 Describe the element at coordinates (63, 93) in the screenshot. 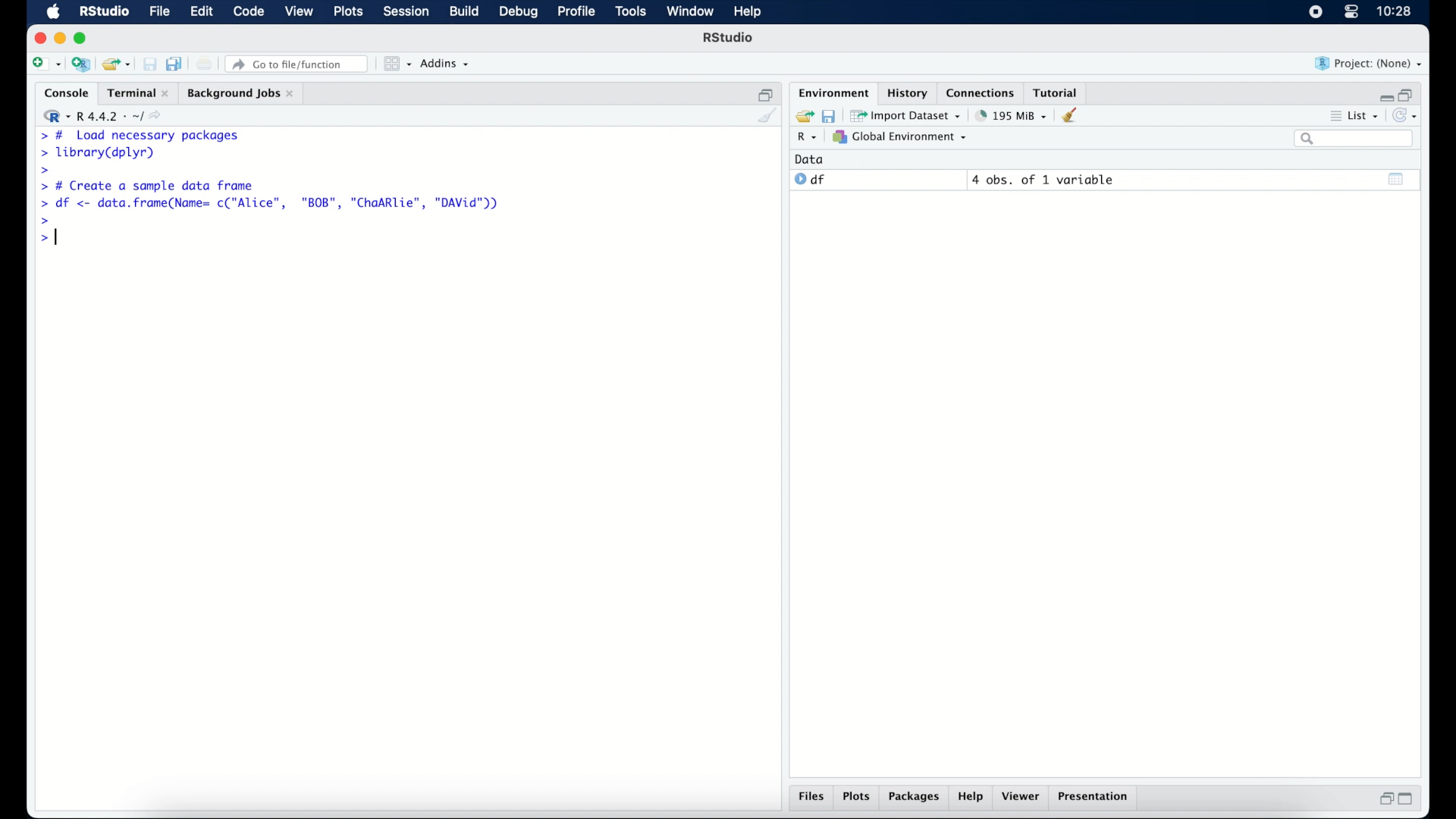

I see `console` at that location.